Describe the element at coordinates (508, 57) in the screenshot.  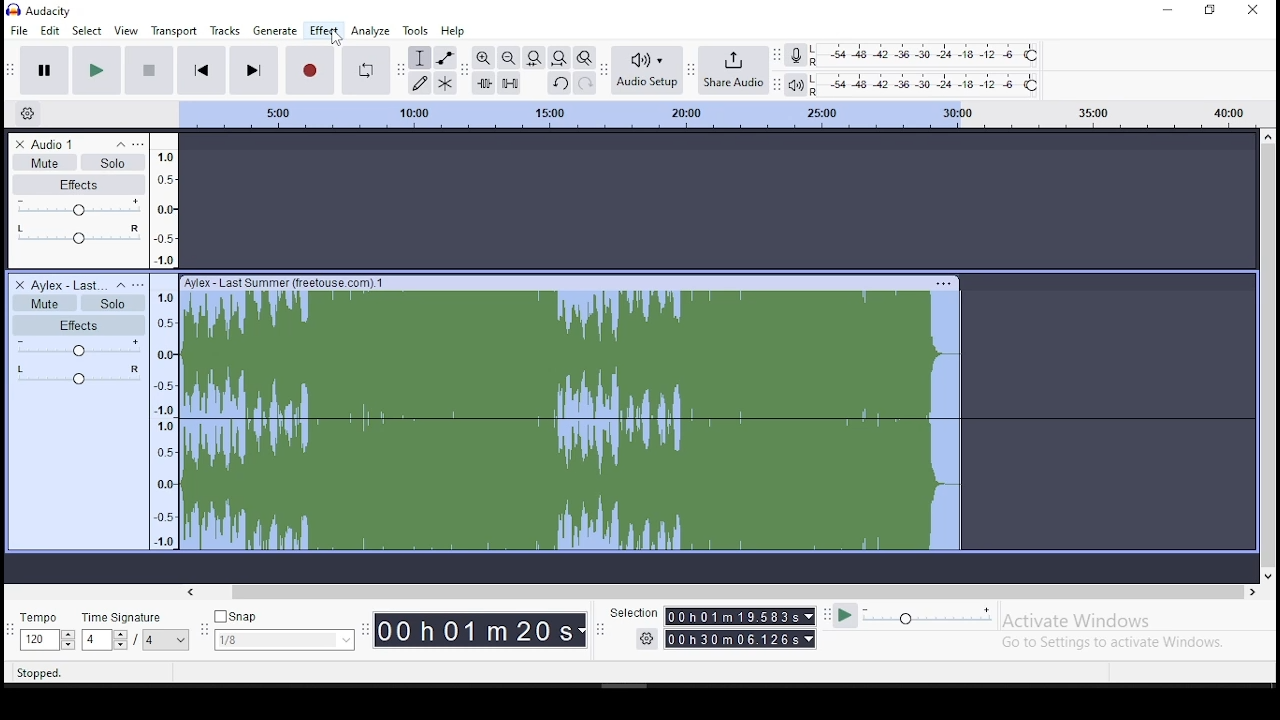
I see `zoom out` at that location.